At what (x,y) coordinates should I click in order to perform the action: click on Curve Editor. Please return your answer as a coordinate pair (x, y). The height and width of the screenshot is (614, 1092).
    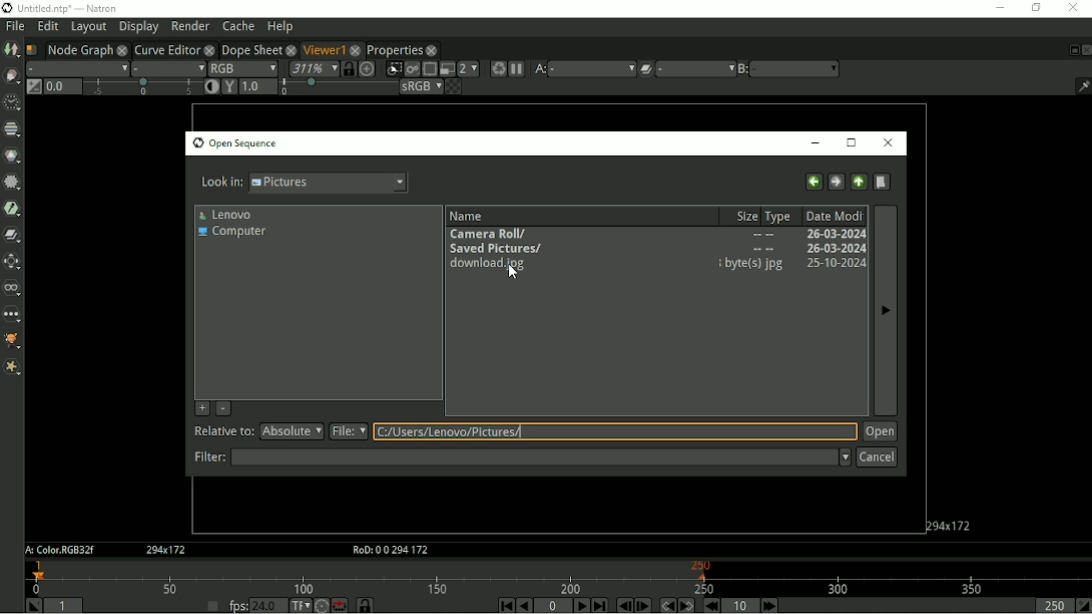
    Looking at the image, I should click on (166, 49).